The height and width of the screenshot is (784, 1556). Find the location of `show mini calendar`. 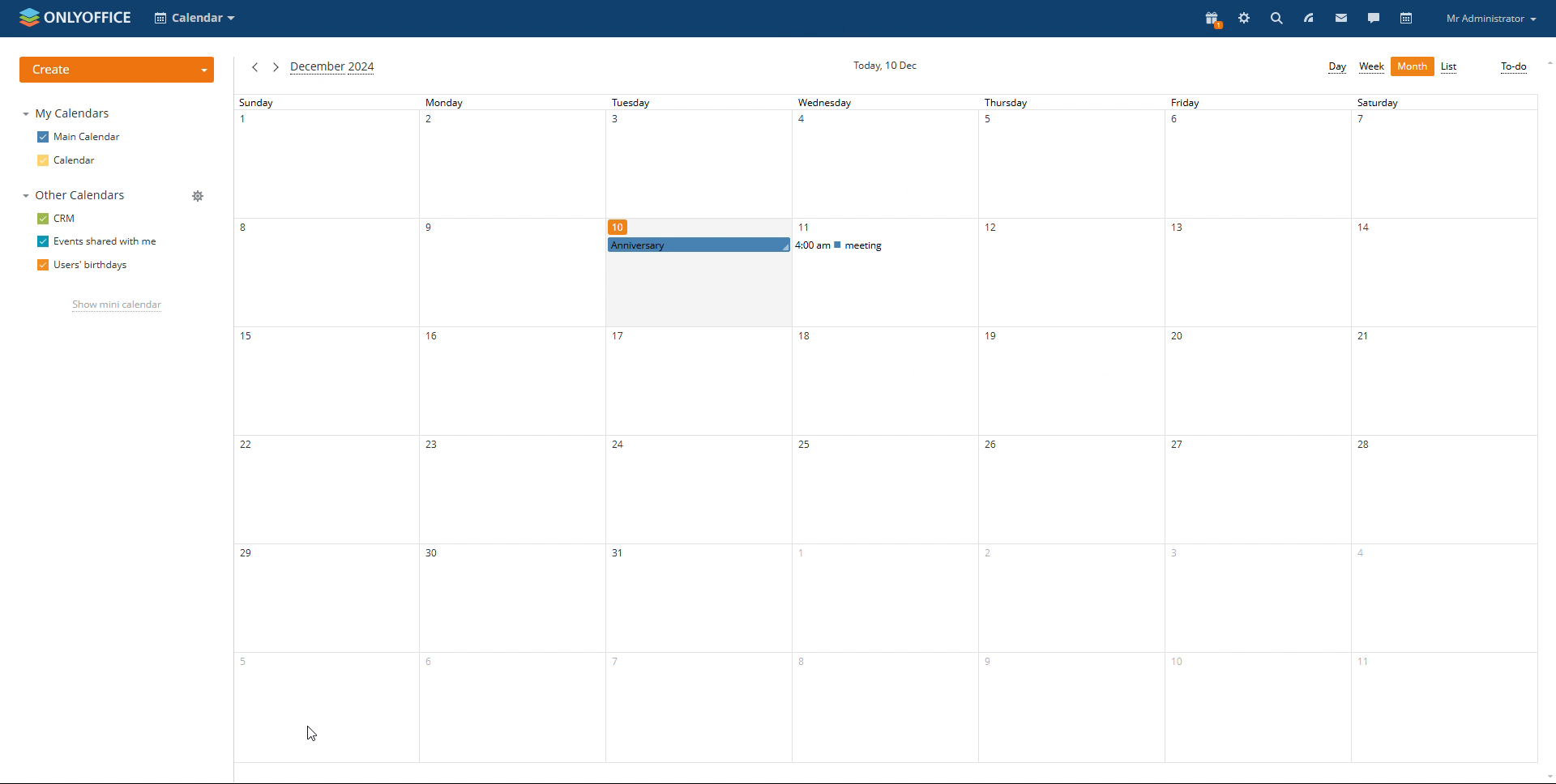

show mini calendar is located at coordinates (118, 306).